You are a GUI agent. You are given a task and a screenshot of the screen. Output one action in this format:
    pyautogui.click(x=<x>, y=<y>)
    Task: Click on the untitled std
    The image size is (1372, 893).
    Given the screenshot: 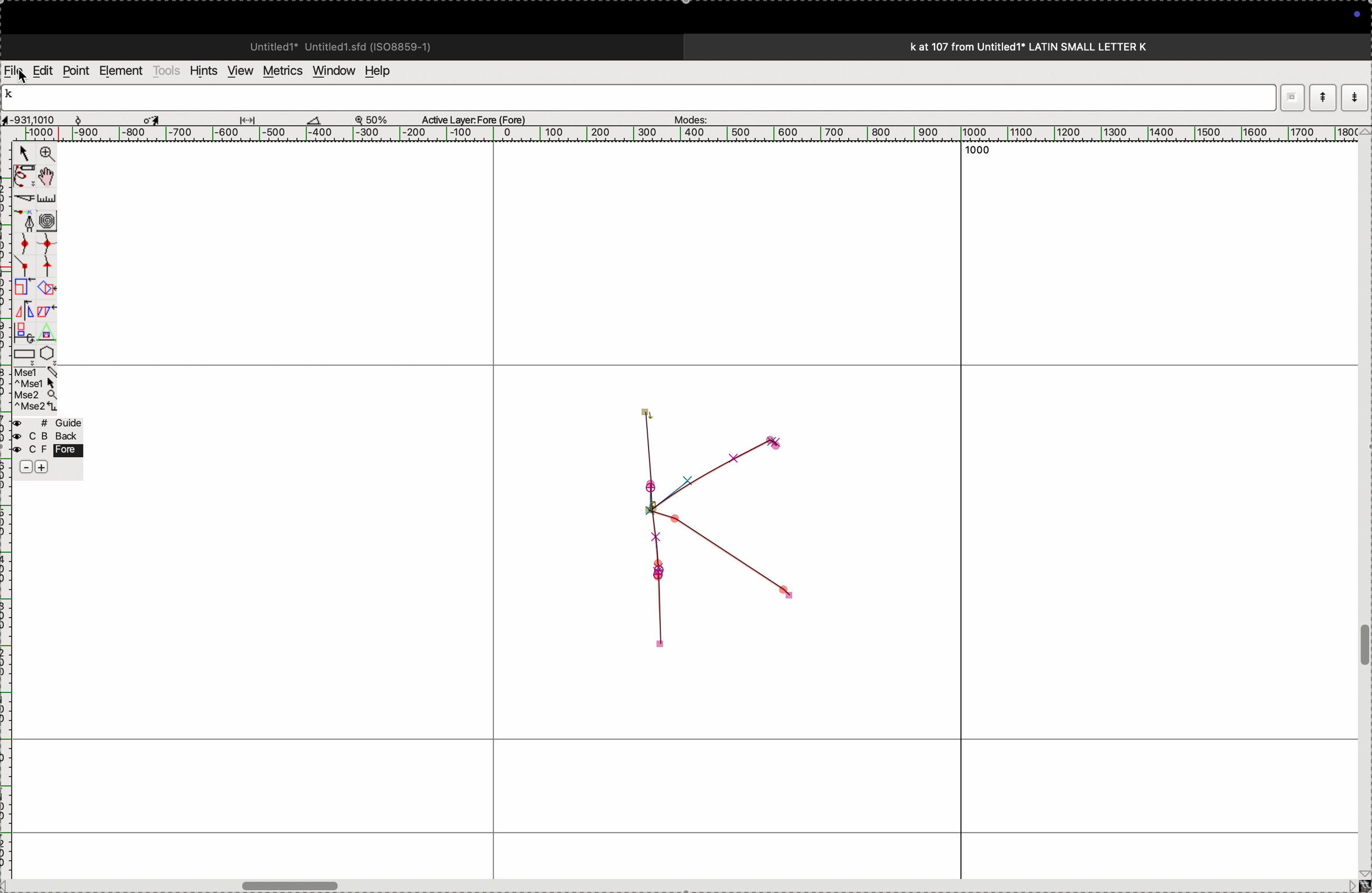 What is the action you would take?
    pyautogui.click(x=345, y=46)
    